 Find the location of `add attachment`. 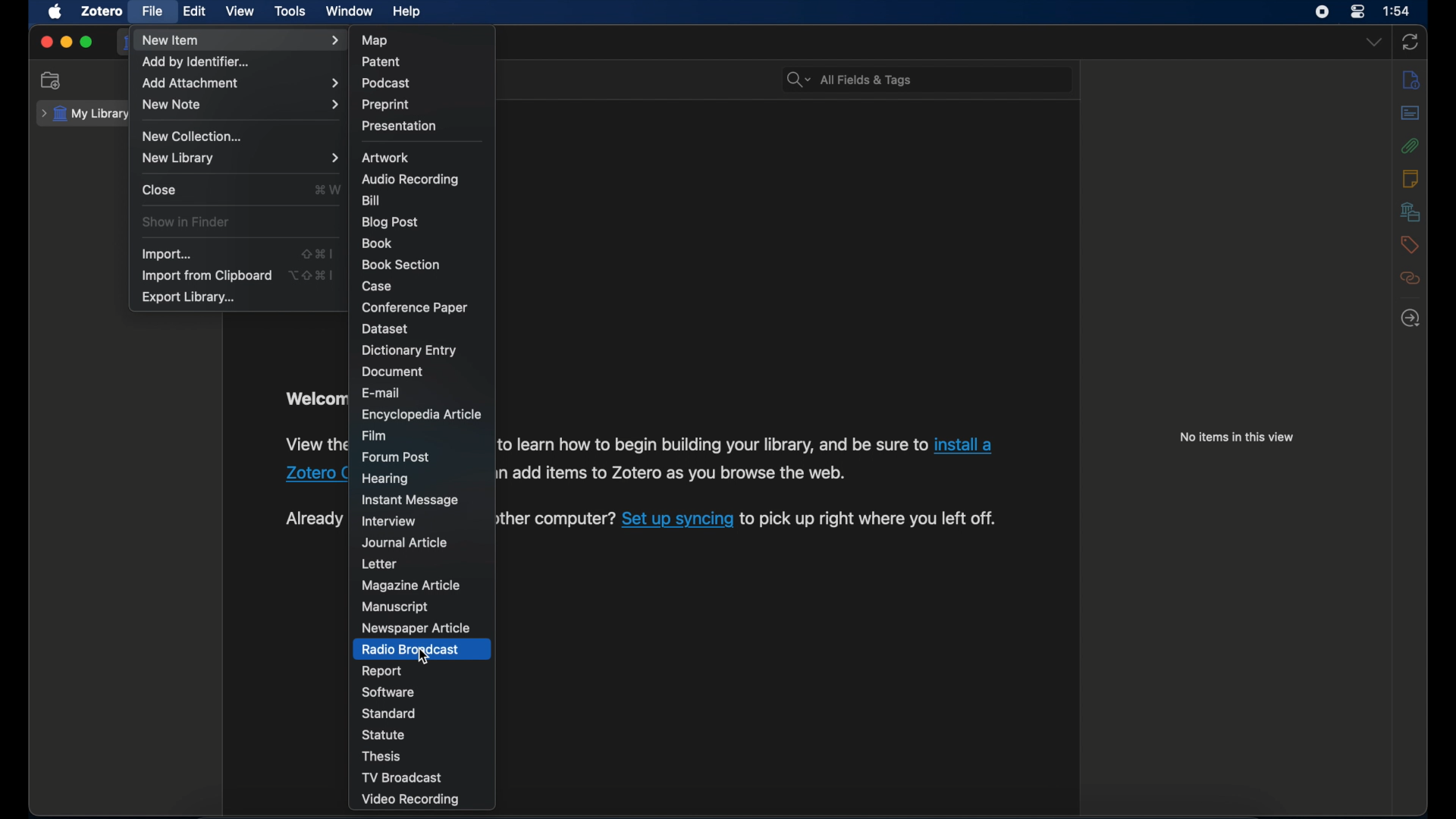

add attachment is located at coordinates (240, 83).